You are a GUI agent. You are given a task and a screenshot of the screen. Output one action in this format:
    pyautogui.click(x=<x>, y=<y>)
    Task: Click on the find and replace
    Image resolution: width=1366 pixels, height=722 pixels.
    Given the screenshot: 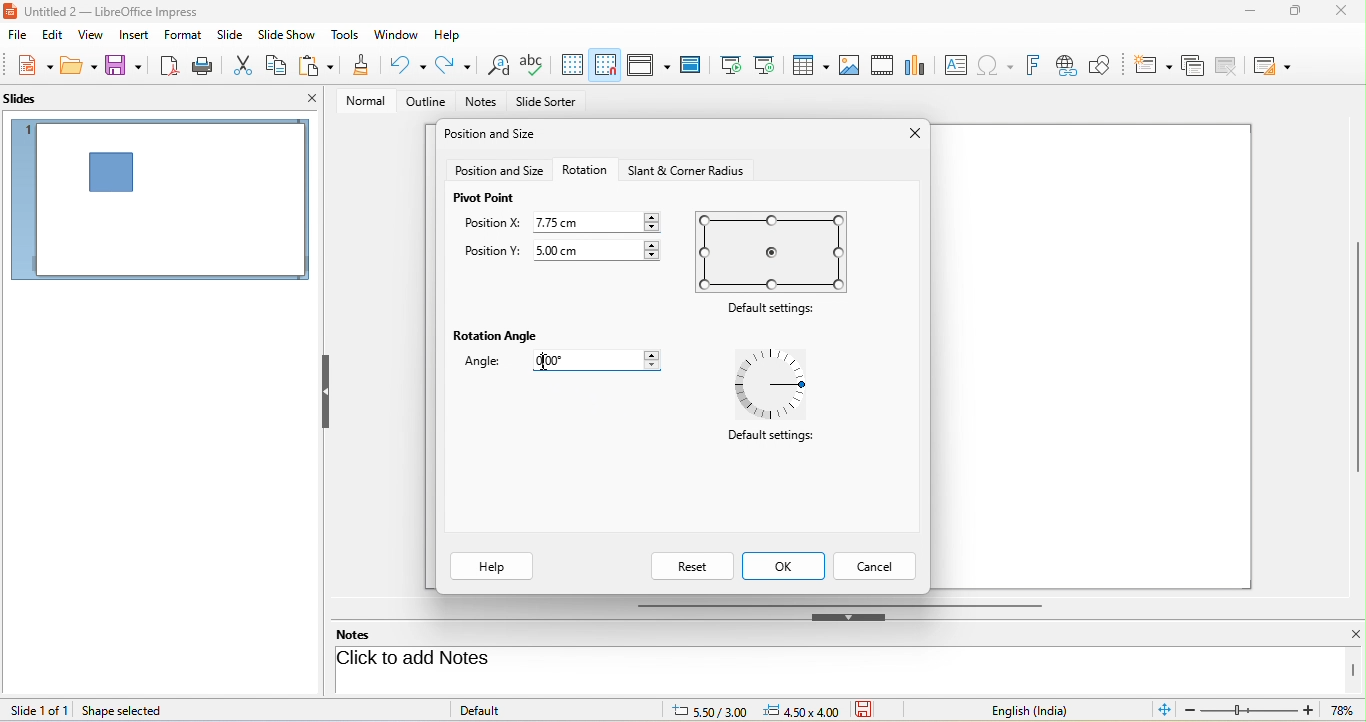 What is the action you would take?
    pyautogui.click(x=496, y=67)
    